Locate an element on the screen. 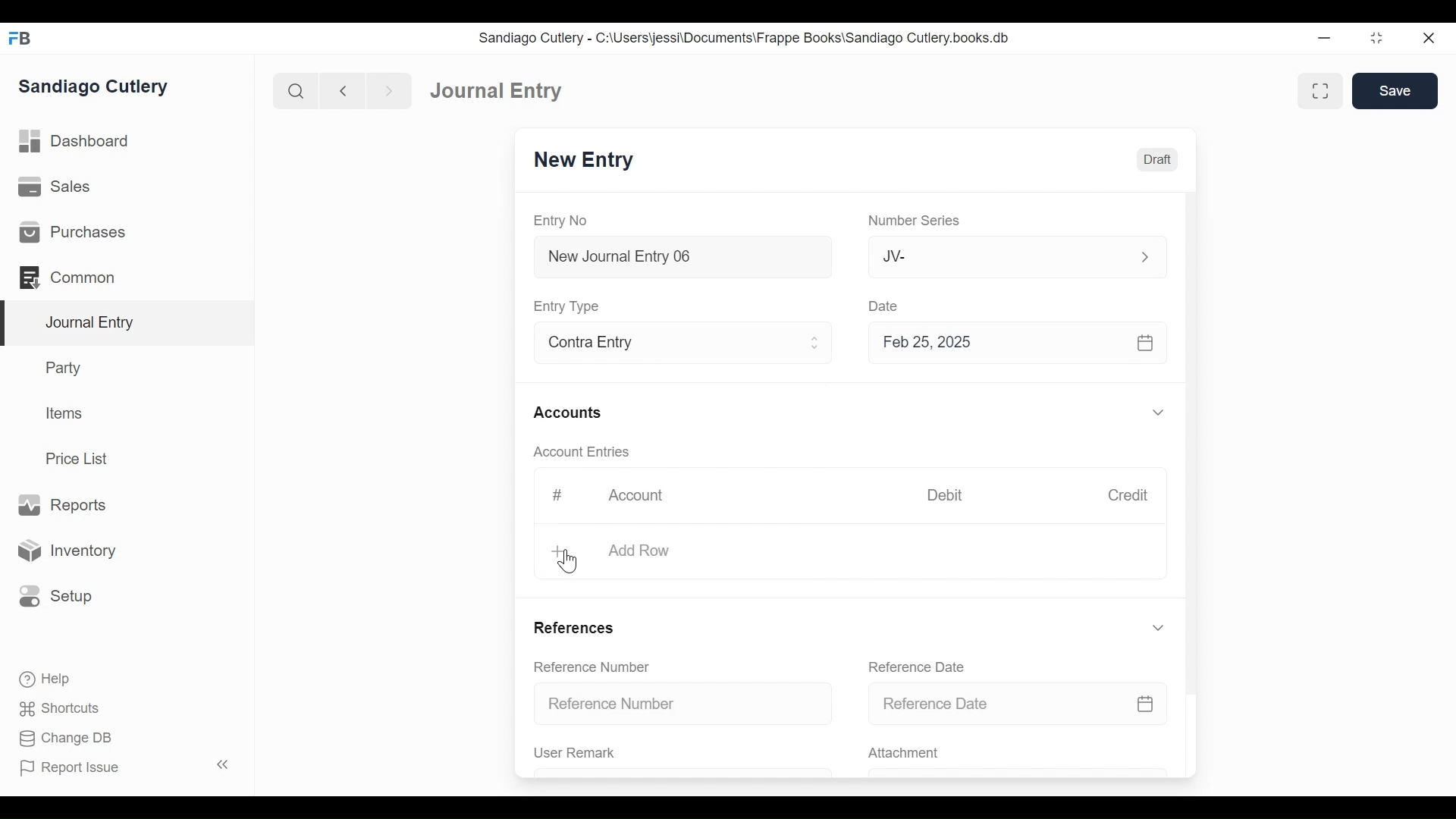 This screenshot has height=819, width=1456. Help is located at coordinates (43, 678).